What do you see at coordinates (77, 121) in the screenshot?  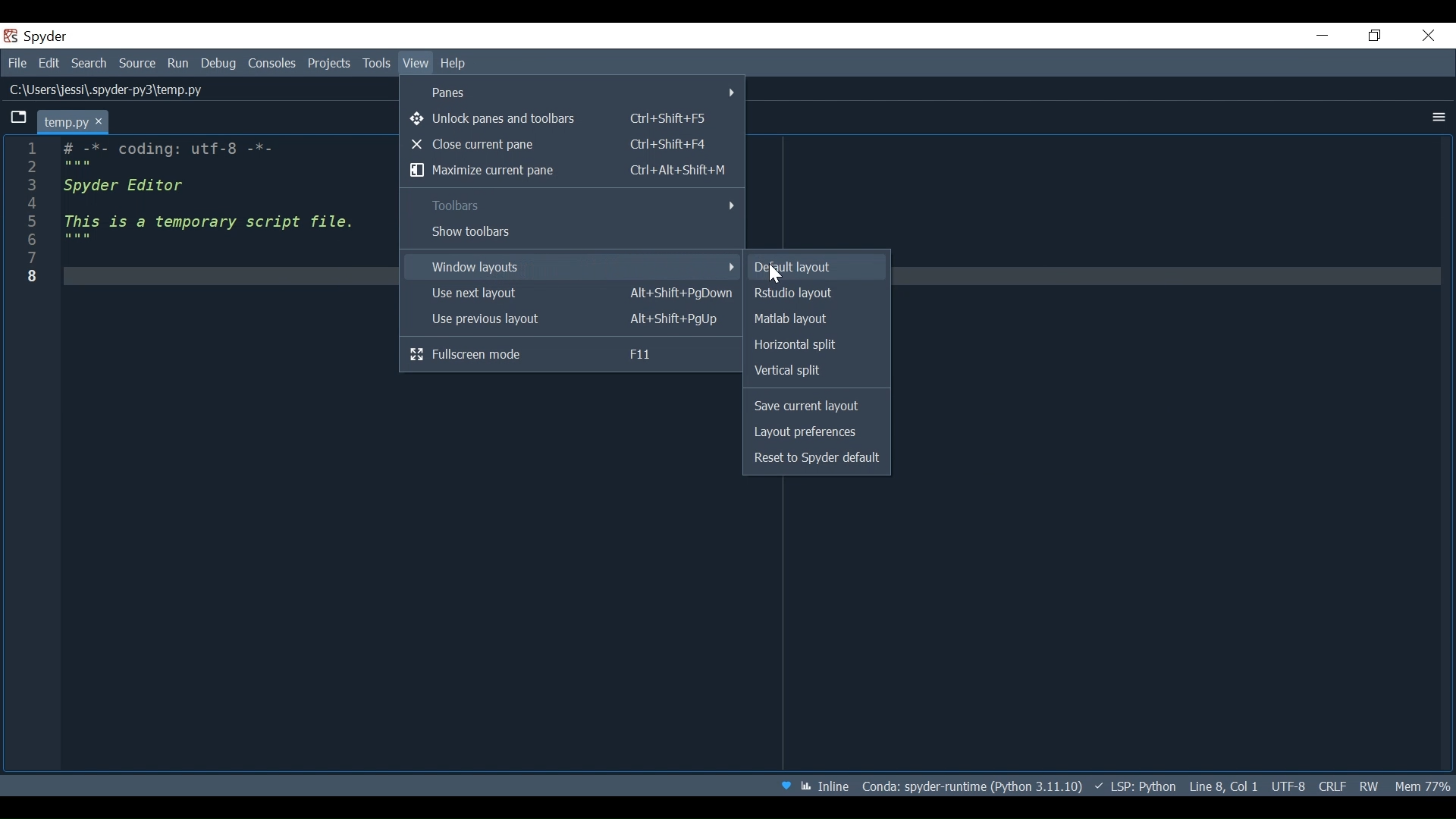 I see `temp.py X` at bounding box center [77, 121].